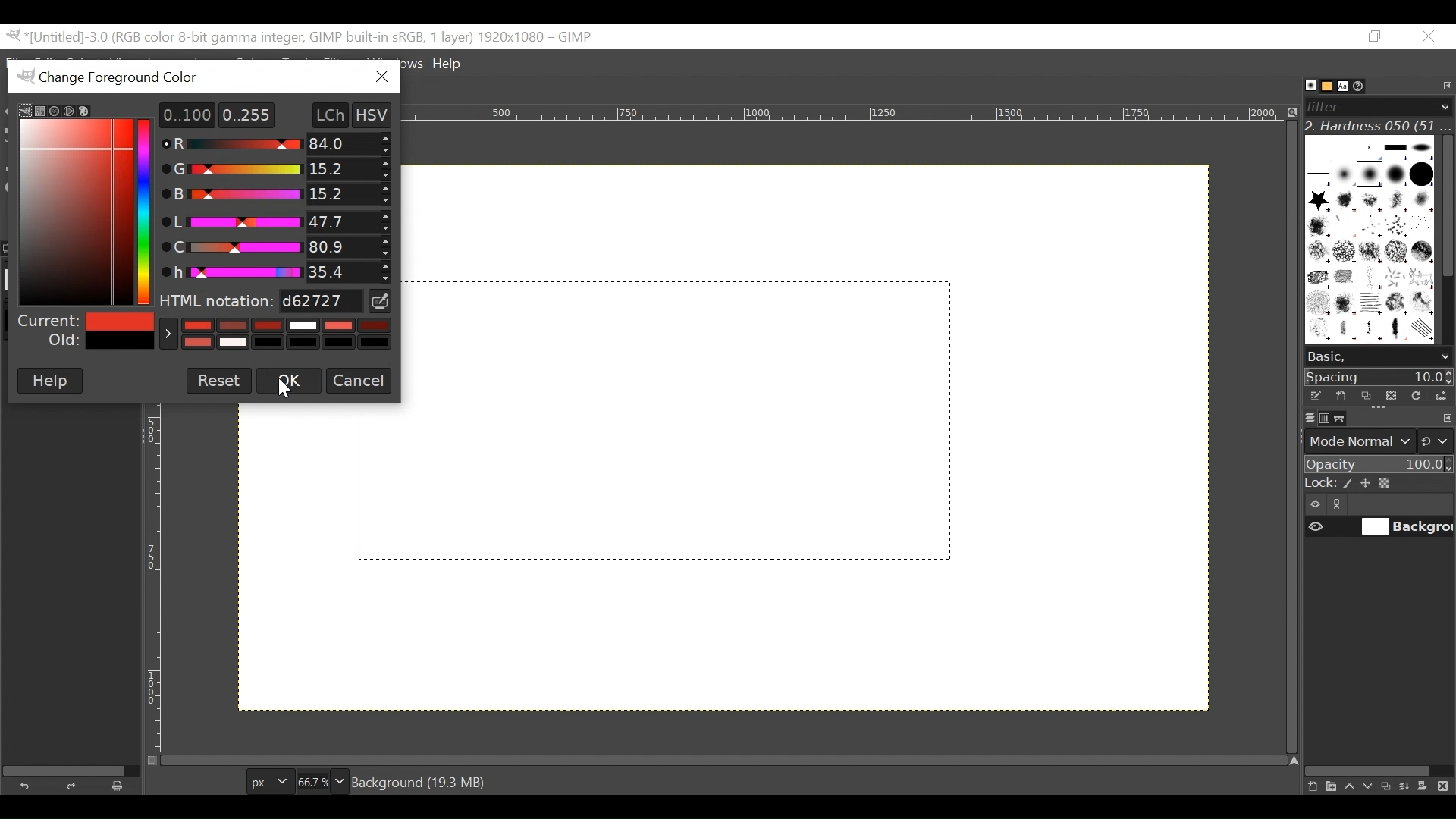 The height and width of the screenshot is (819, 1456). What do you see at coordinates (1365, 243) in the screenshot?
I see `Patterns` at bounding box center [1365, 243].